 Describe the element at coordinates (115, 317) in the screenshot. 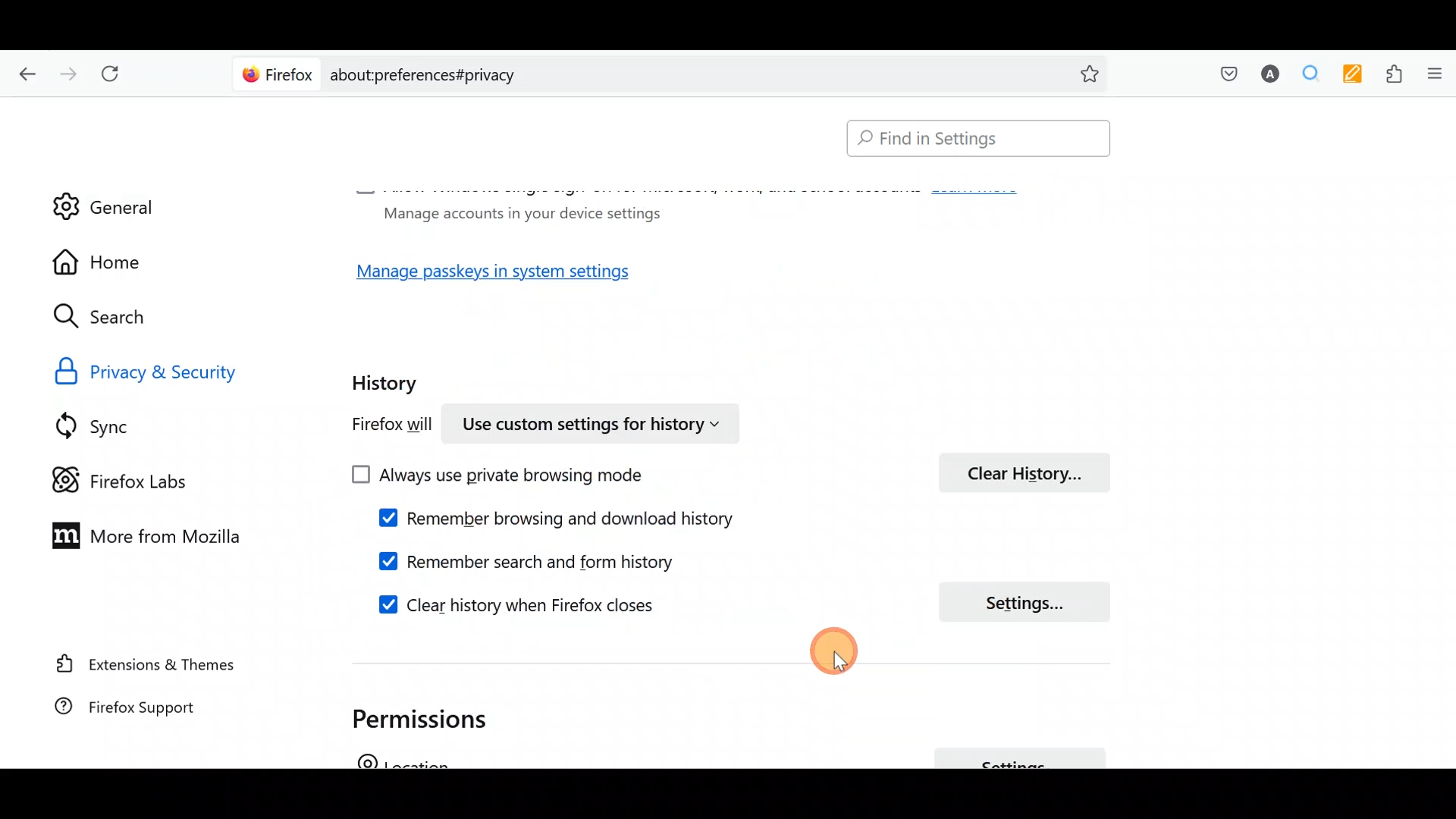

I see `Search icon` at that location.